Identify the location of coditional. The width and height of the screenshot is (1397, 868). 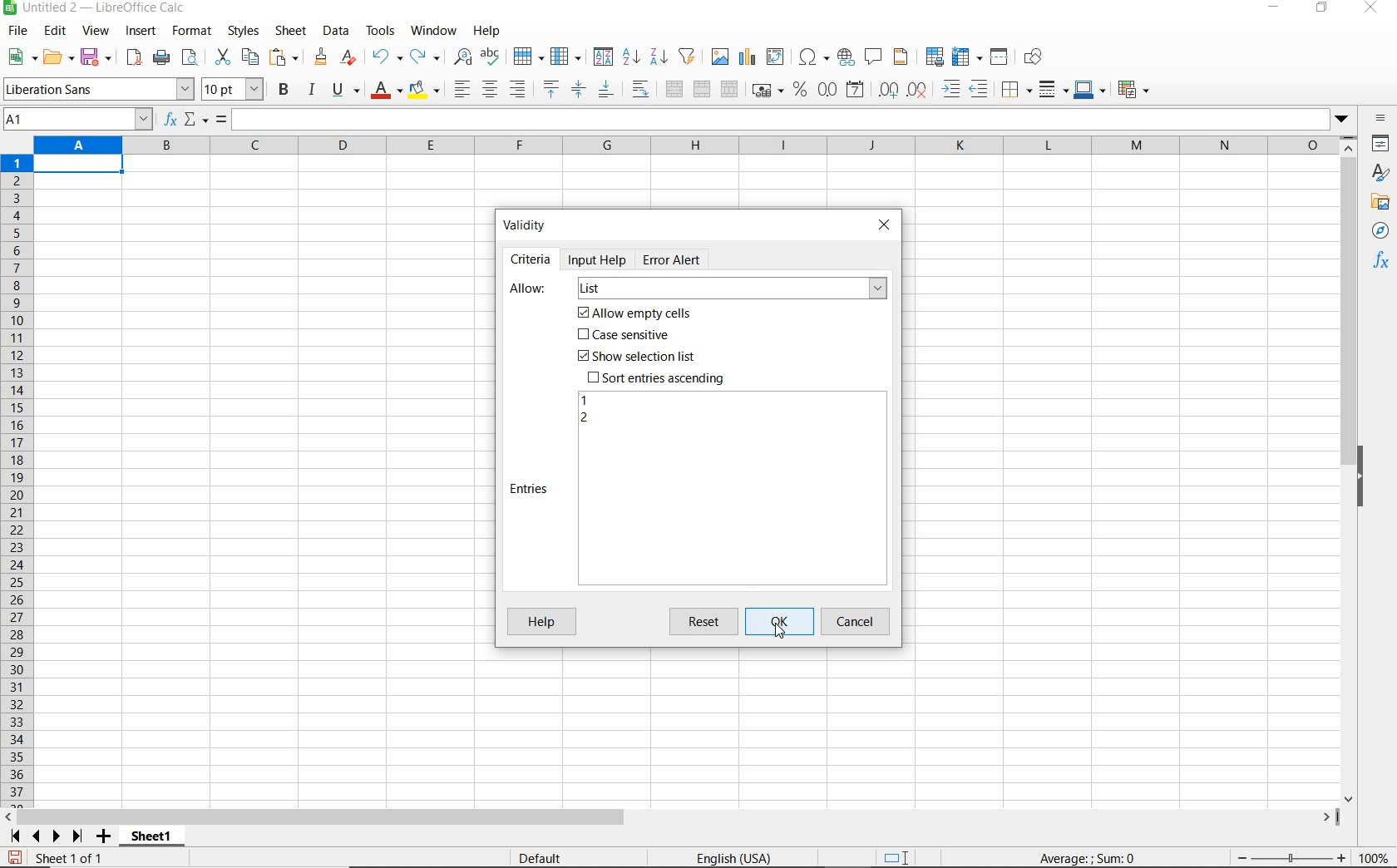
(1132, 90).